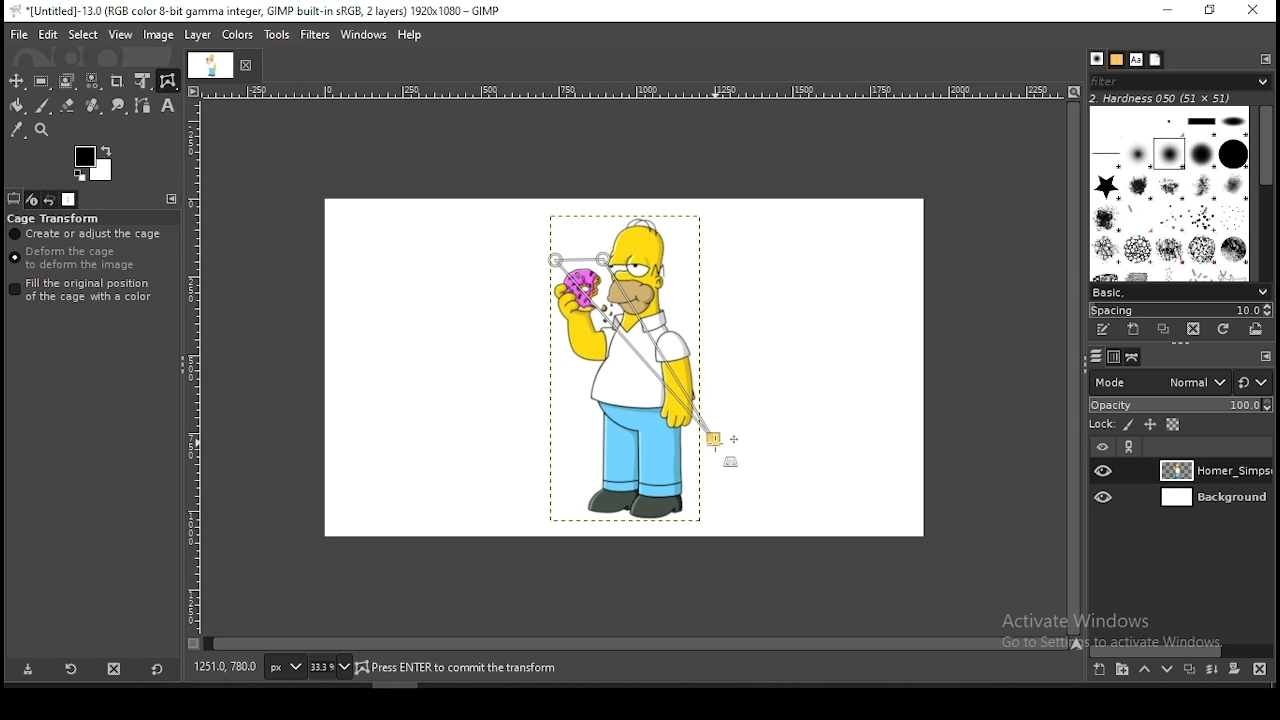  I want to click on blend mode, so click(1155, 381).